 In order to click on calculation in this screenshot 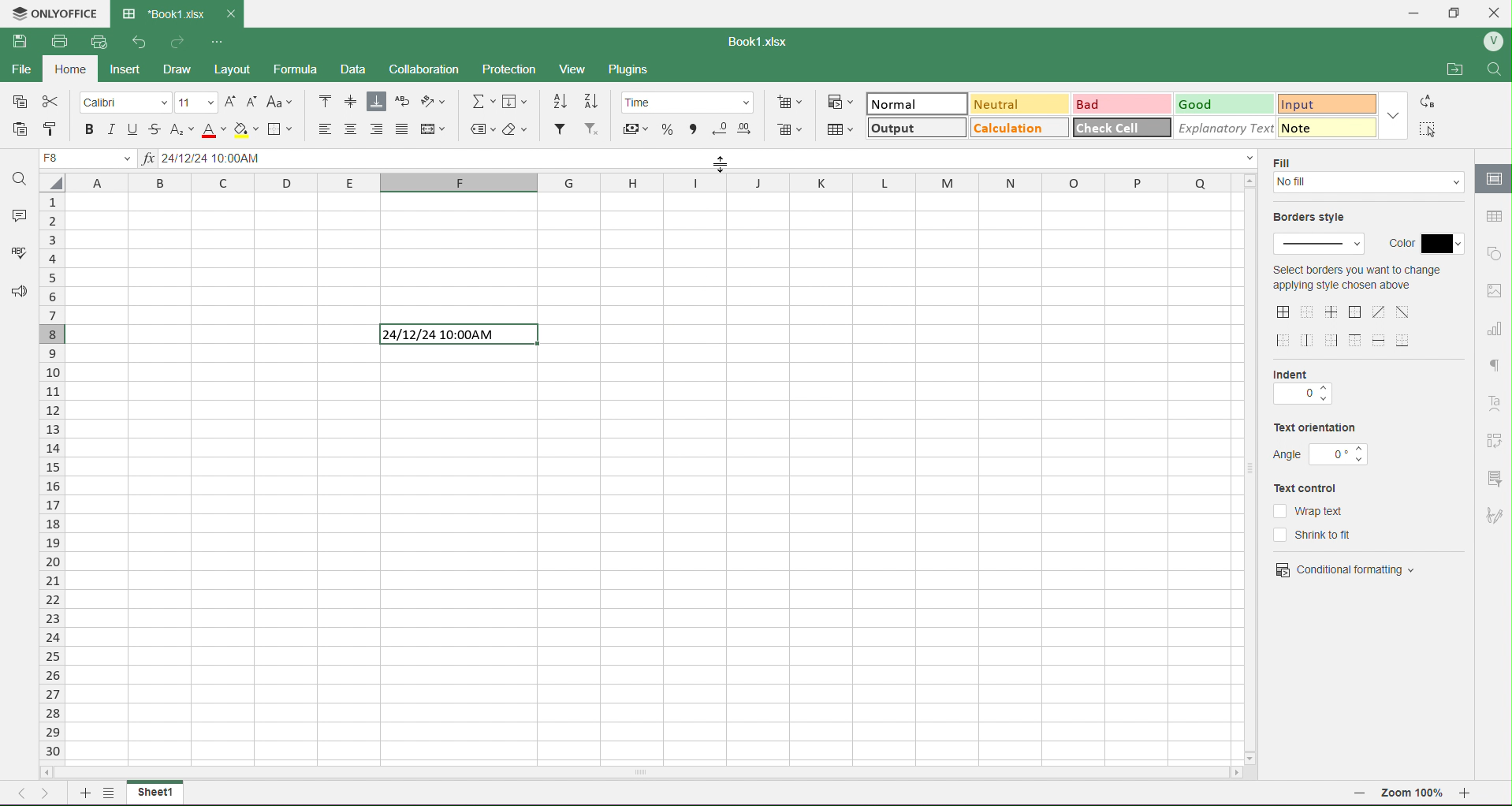, I will do `click(1009, 131)`.